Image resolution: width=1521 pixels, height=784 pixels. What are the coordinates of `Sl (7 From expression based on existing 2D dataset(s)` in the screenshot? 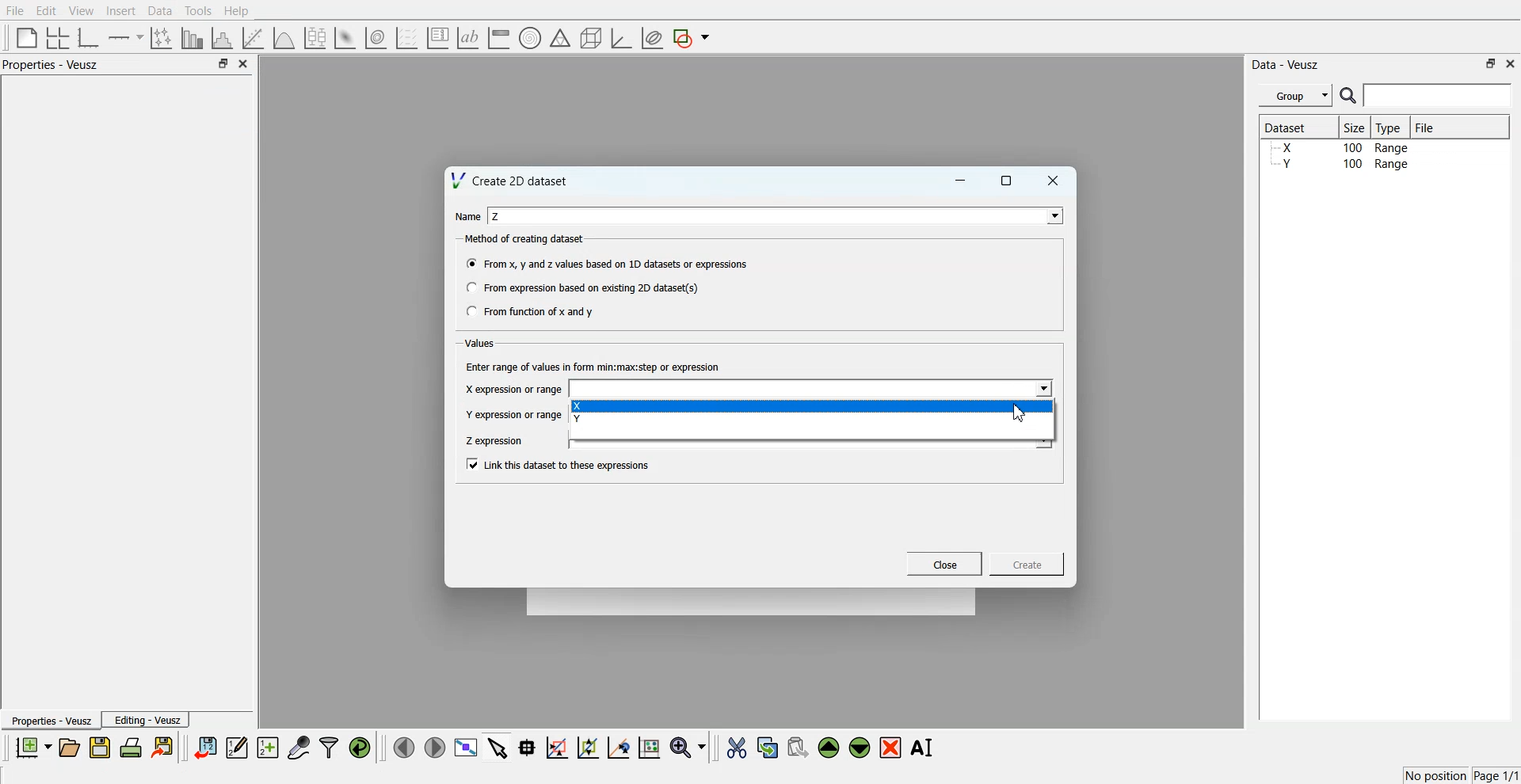 It's located at (581, 287).